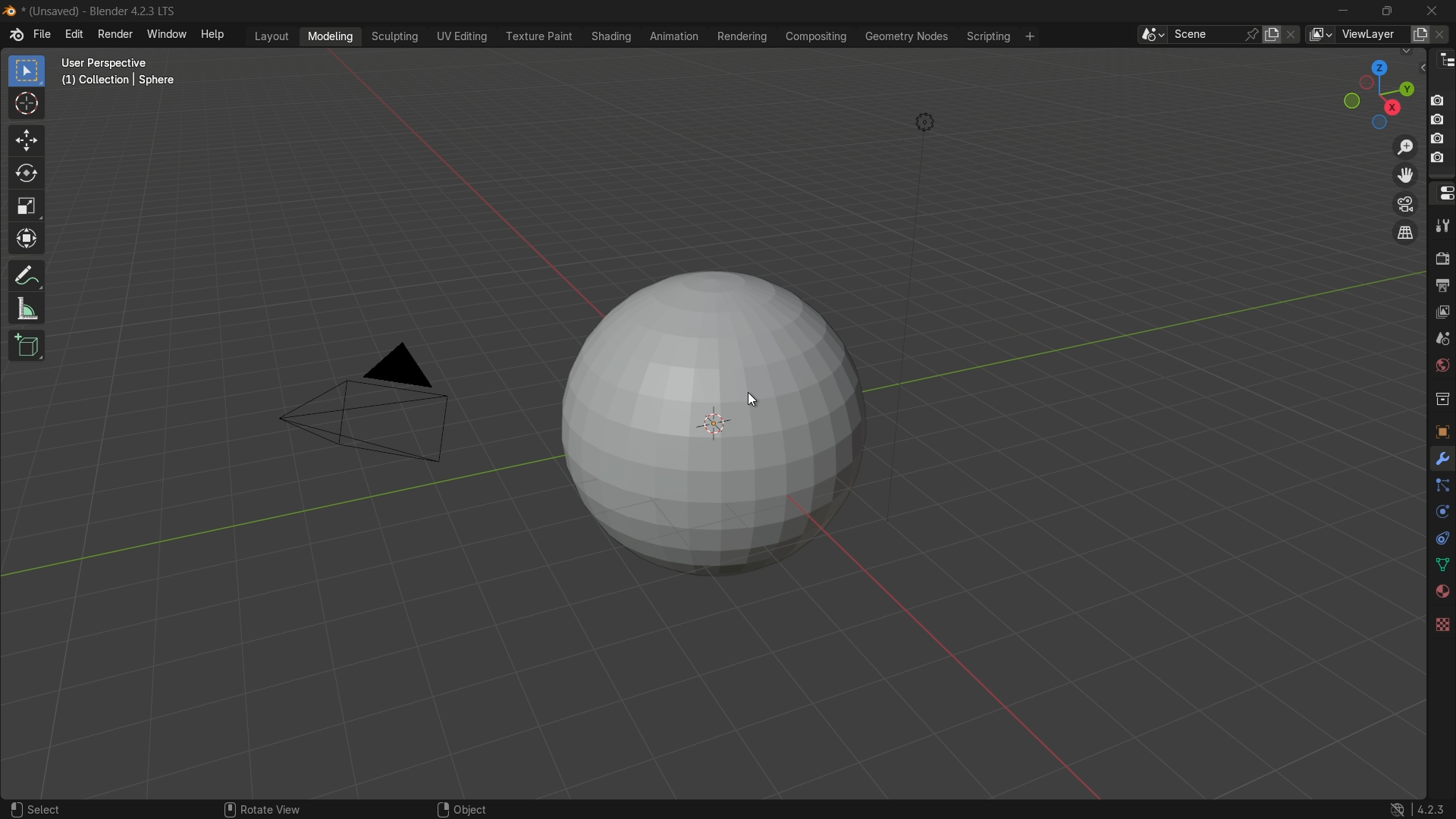 The width and height of the screenshot is (1456, 819). Describe the element at coordinates (1408, 234) in the screenshot. I see `switch current view` at that location.